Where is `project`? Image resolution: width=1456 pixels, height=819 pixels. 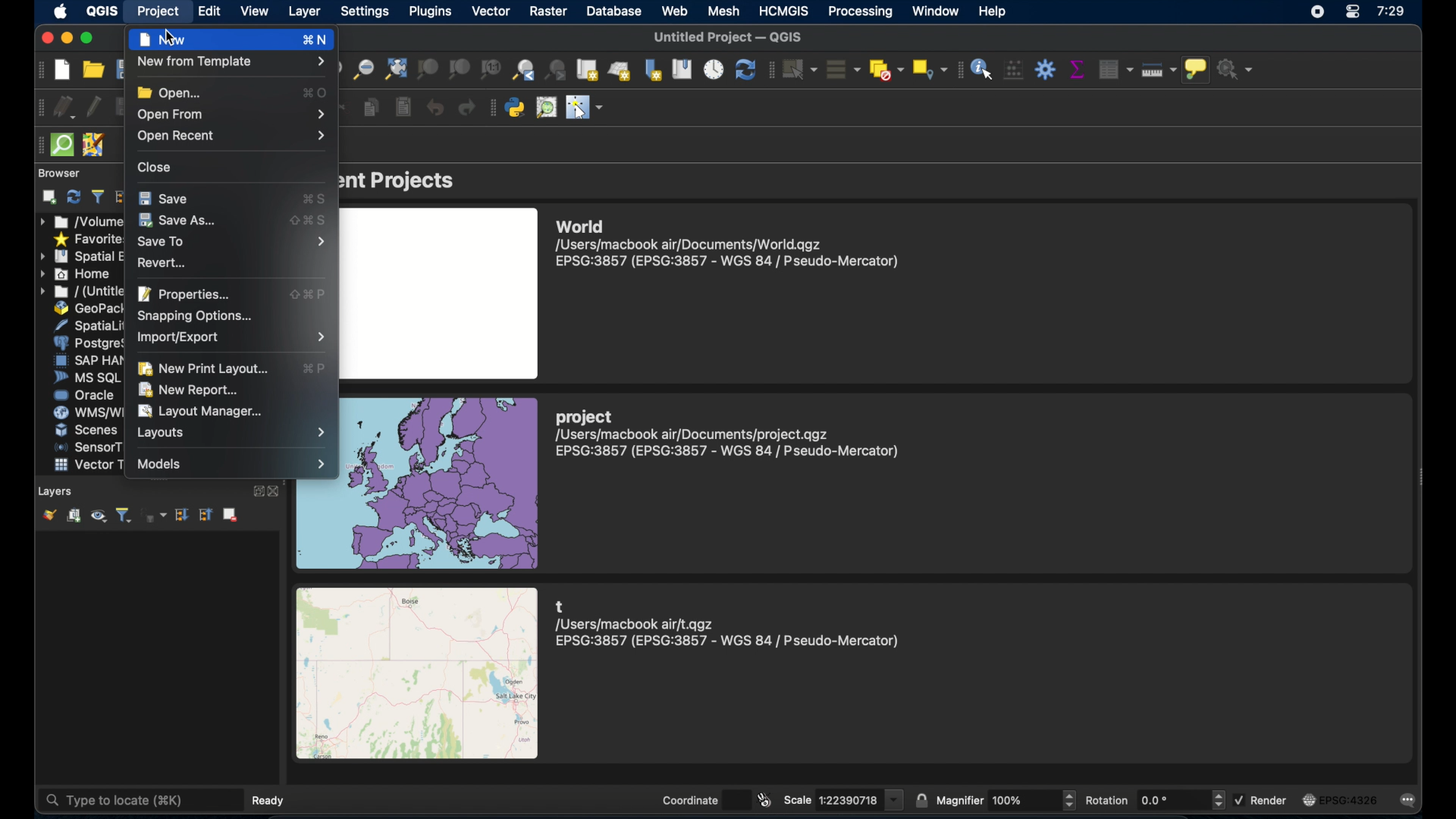
project is located at coordinates (585, 416).